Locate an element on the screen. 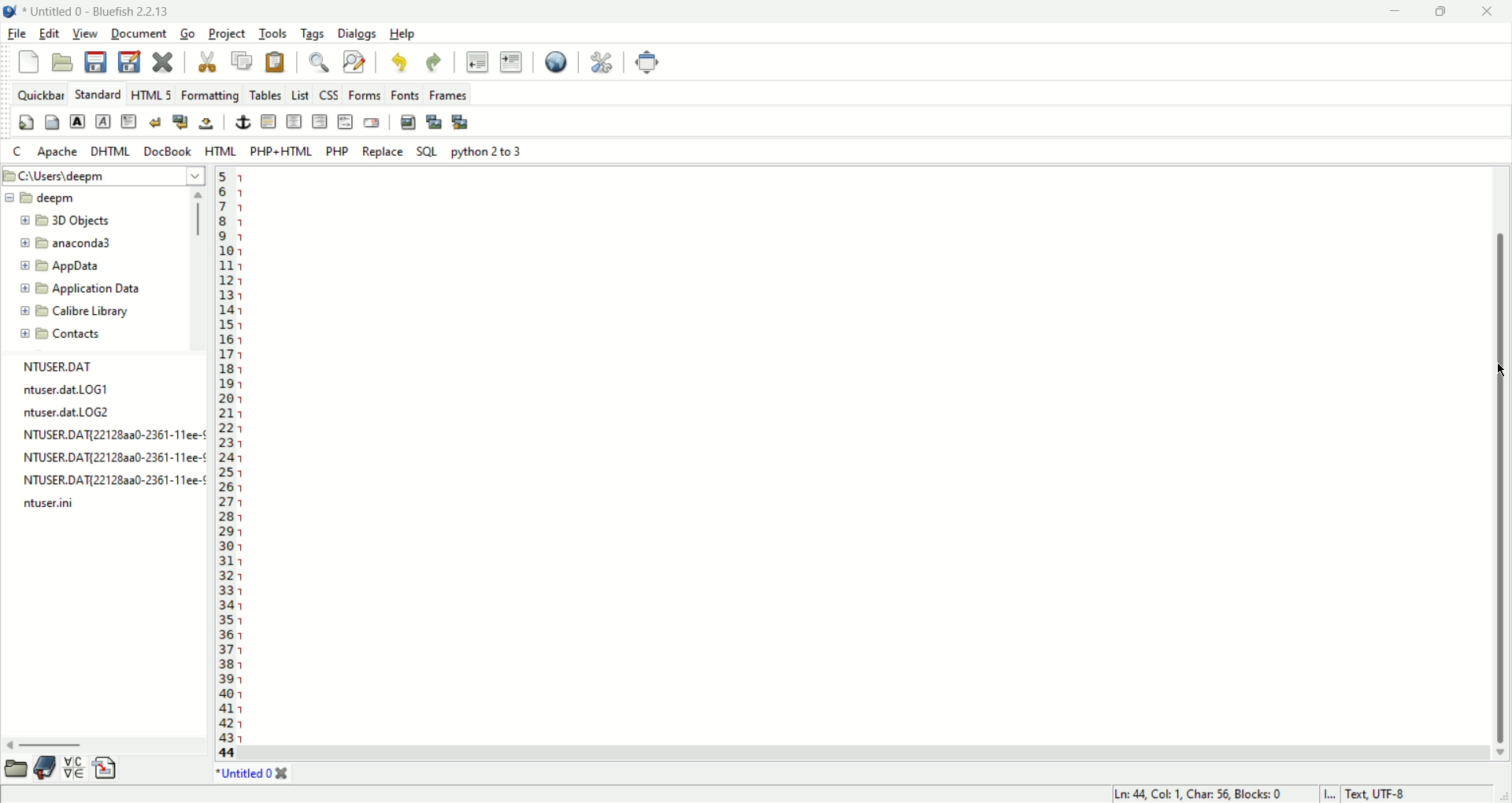 This screenshot has width=1512, height=803. cut is located at coordinates (206, 62).